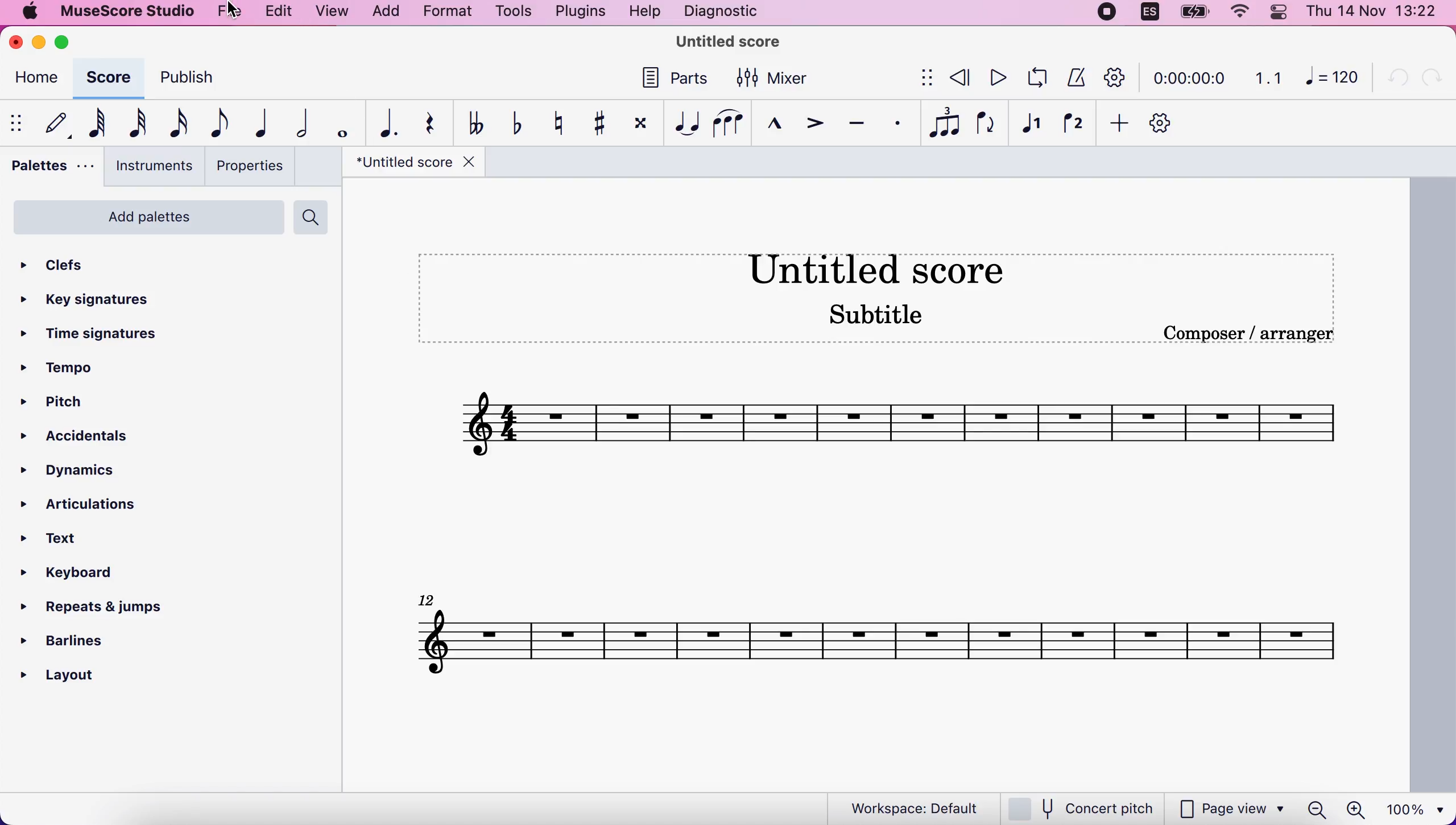  I want to click on diagnostic, so click(723, 10).